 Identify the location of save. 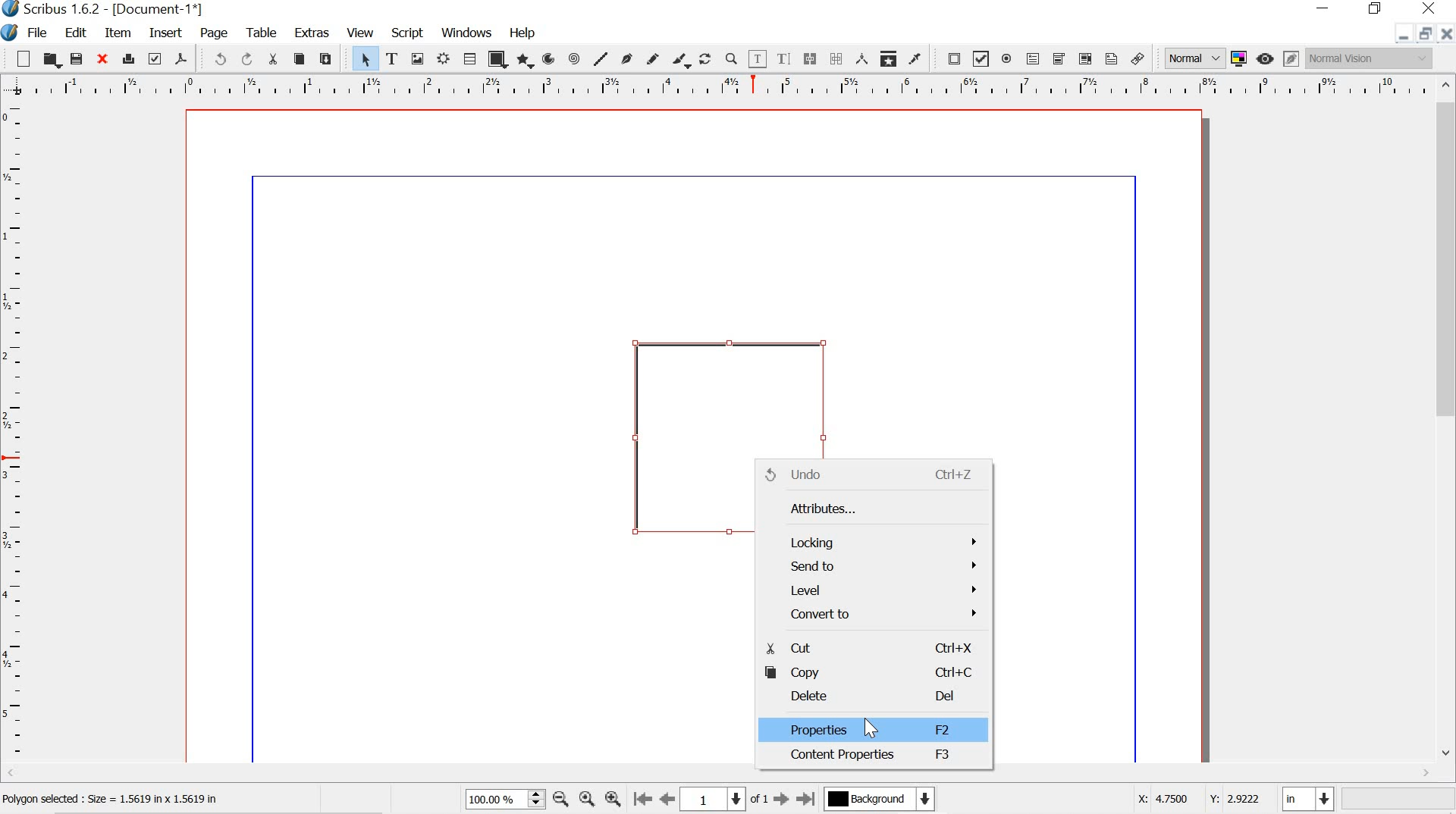
(78, 58).